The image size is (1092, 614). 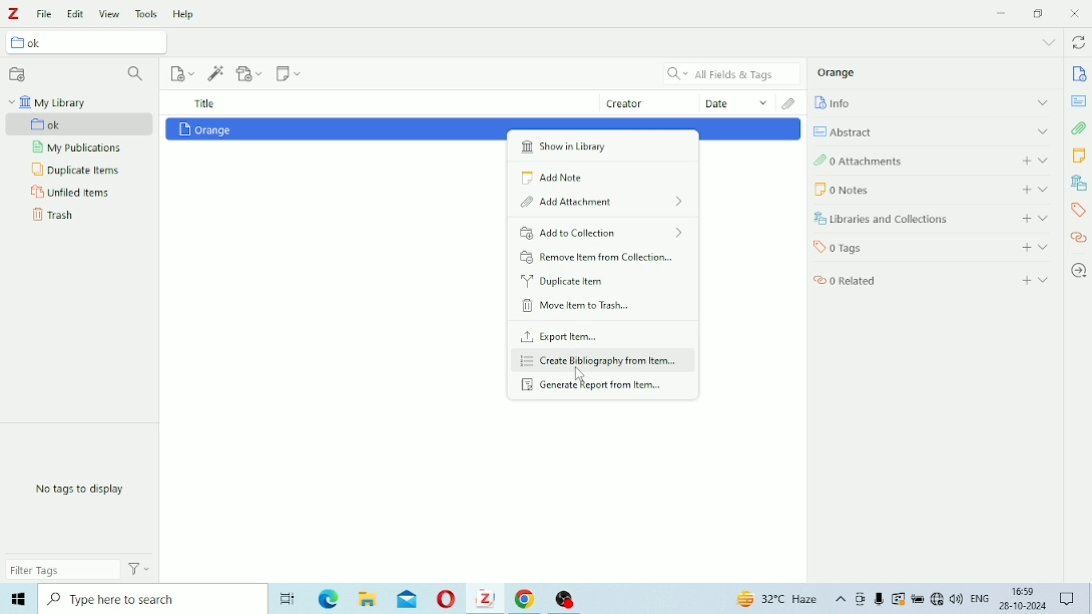 What do you see at coordinates (1001, 13) in the screenshot?
I see `Minimize` at bounding box center [1001, 13].